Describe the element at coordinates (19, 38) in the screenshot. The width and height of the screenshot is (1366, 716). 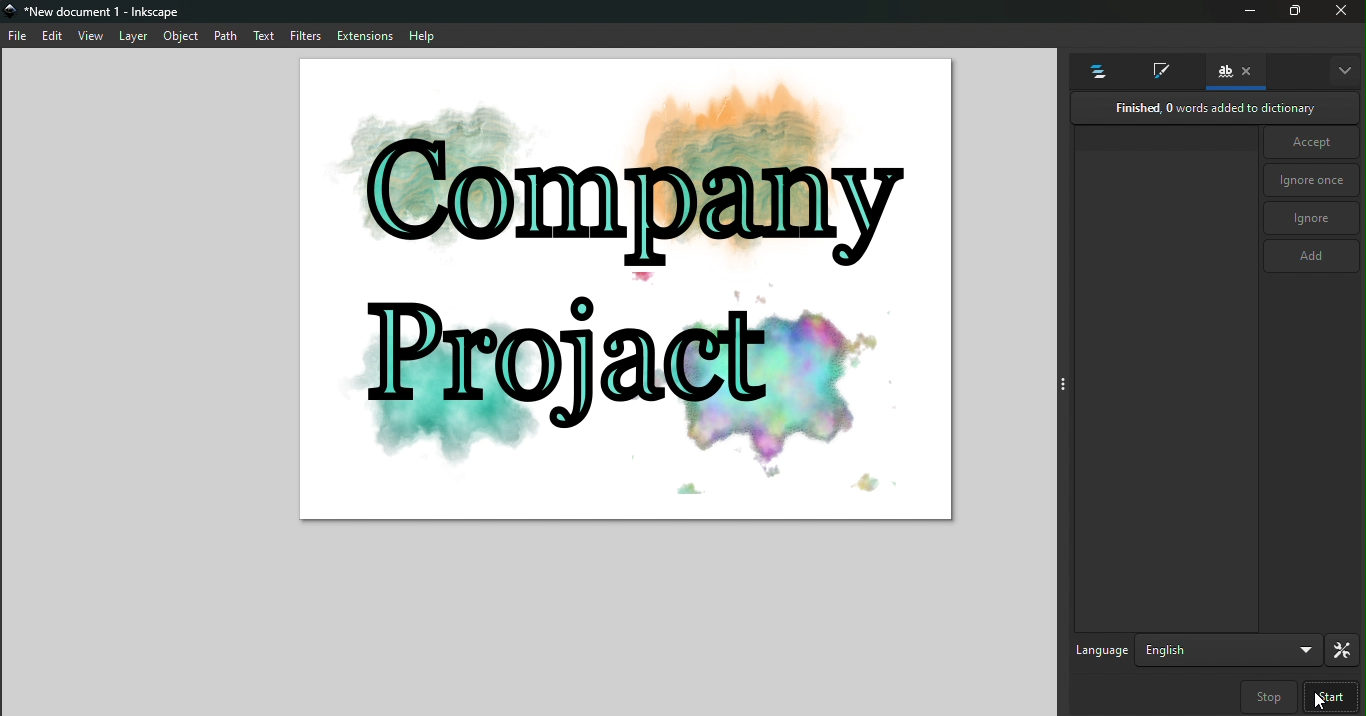
I see `file` at that location.